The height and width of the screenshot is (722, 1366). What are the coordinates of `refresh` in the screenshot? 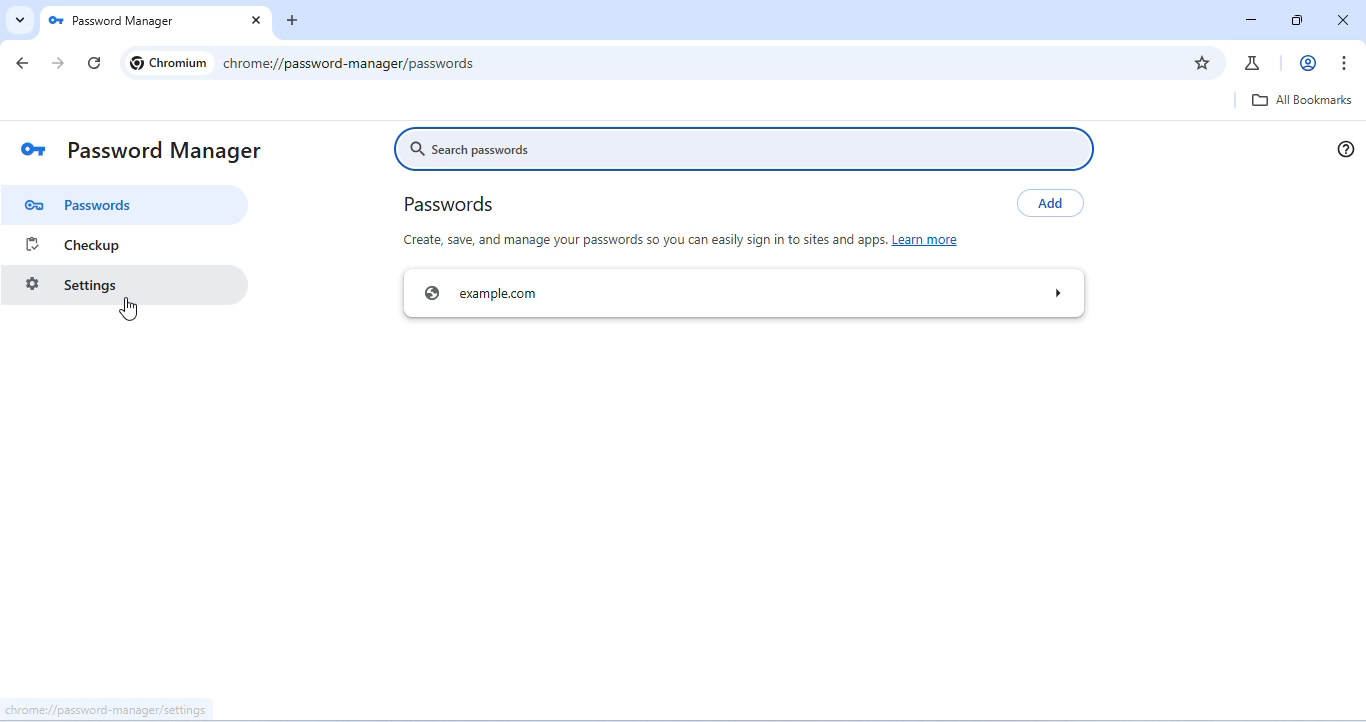 It's located at (94, 62).